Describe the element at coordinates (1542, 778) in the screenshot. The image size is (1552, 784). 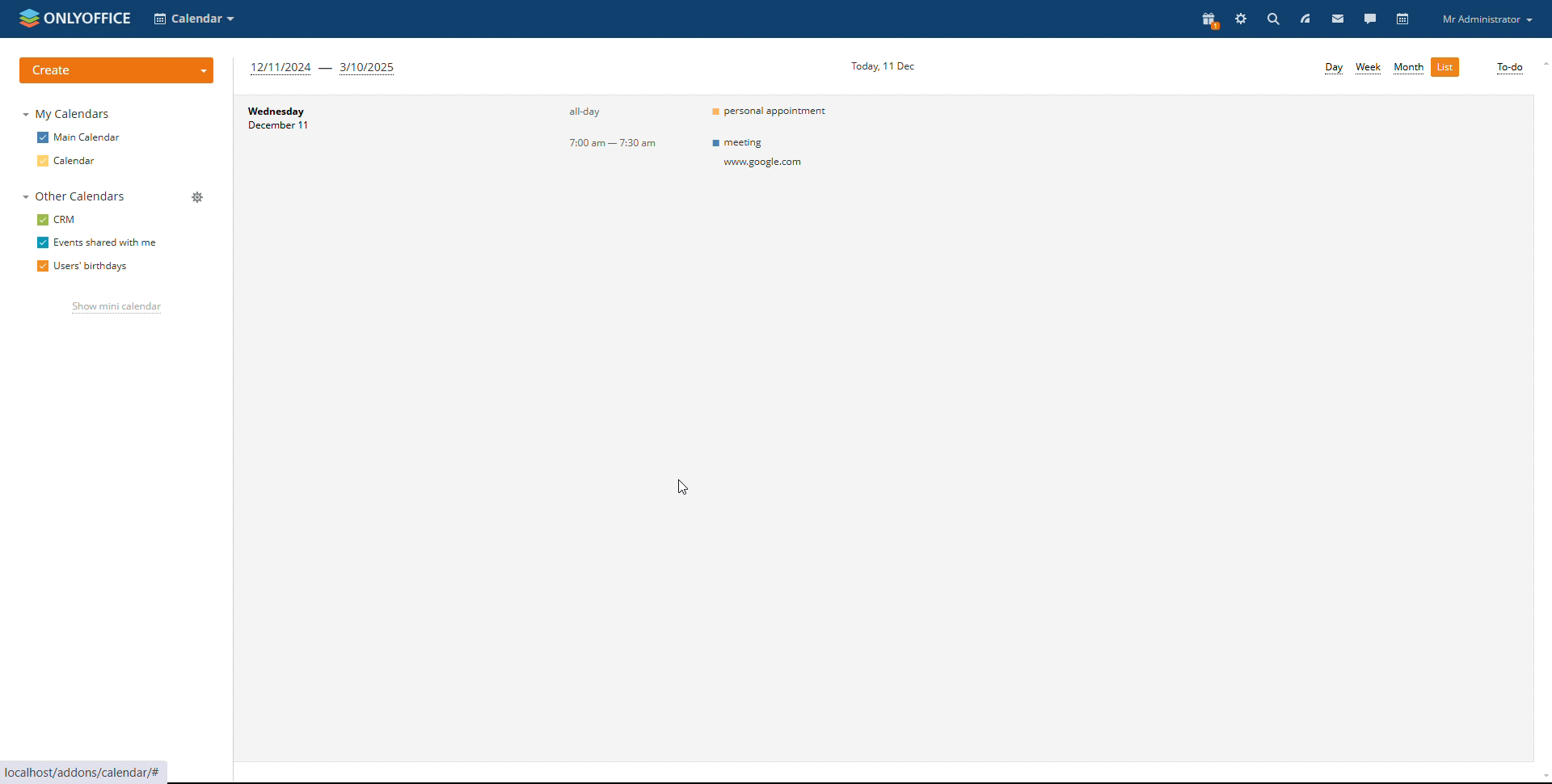
I see `scroll down` at that location.